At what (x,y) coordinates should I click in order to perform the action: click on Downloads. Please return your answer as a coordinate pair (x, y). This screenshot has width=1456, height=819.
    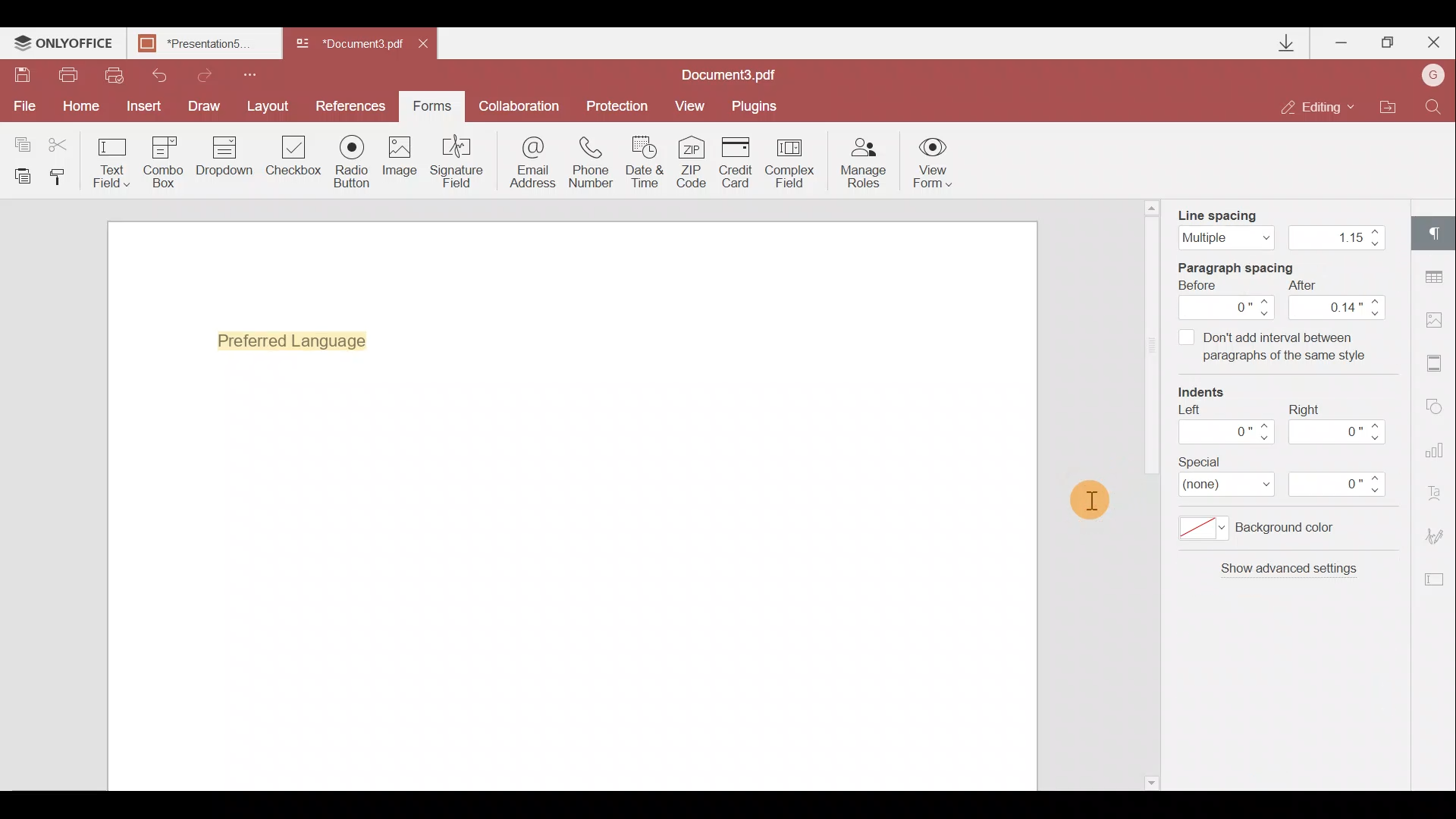
    Looking at the image, I should click on (1288, 43).